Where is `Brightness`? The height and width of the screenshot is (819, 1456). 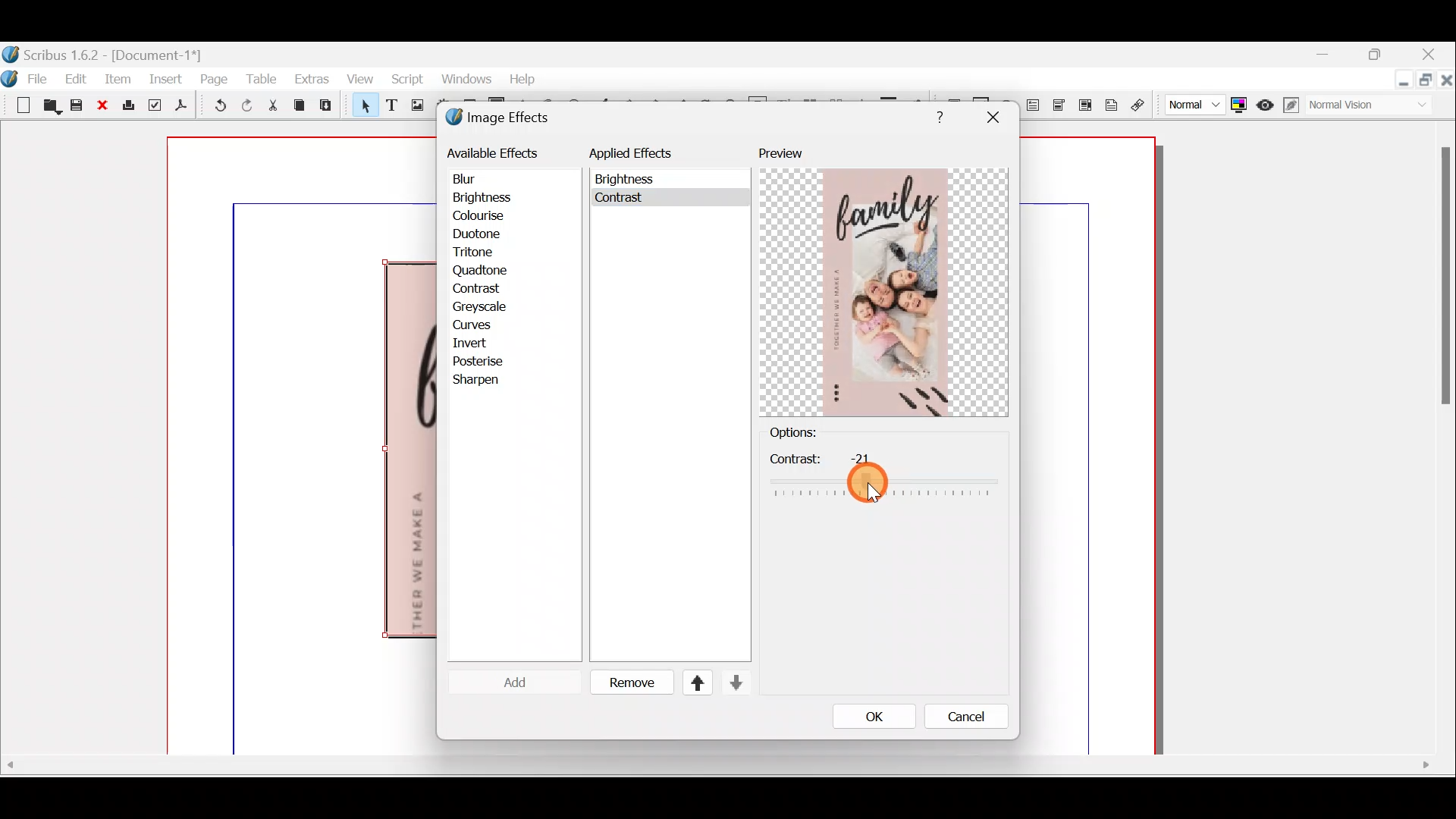
Brightness is located at coordinates (502, 196).